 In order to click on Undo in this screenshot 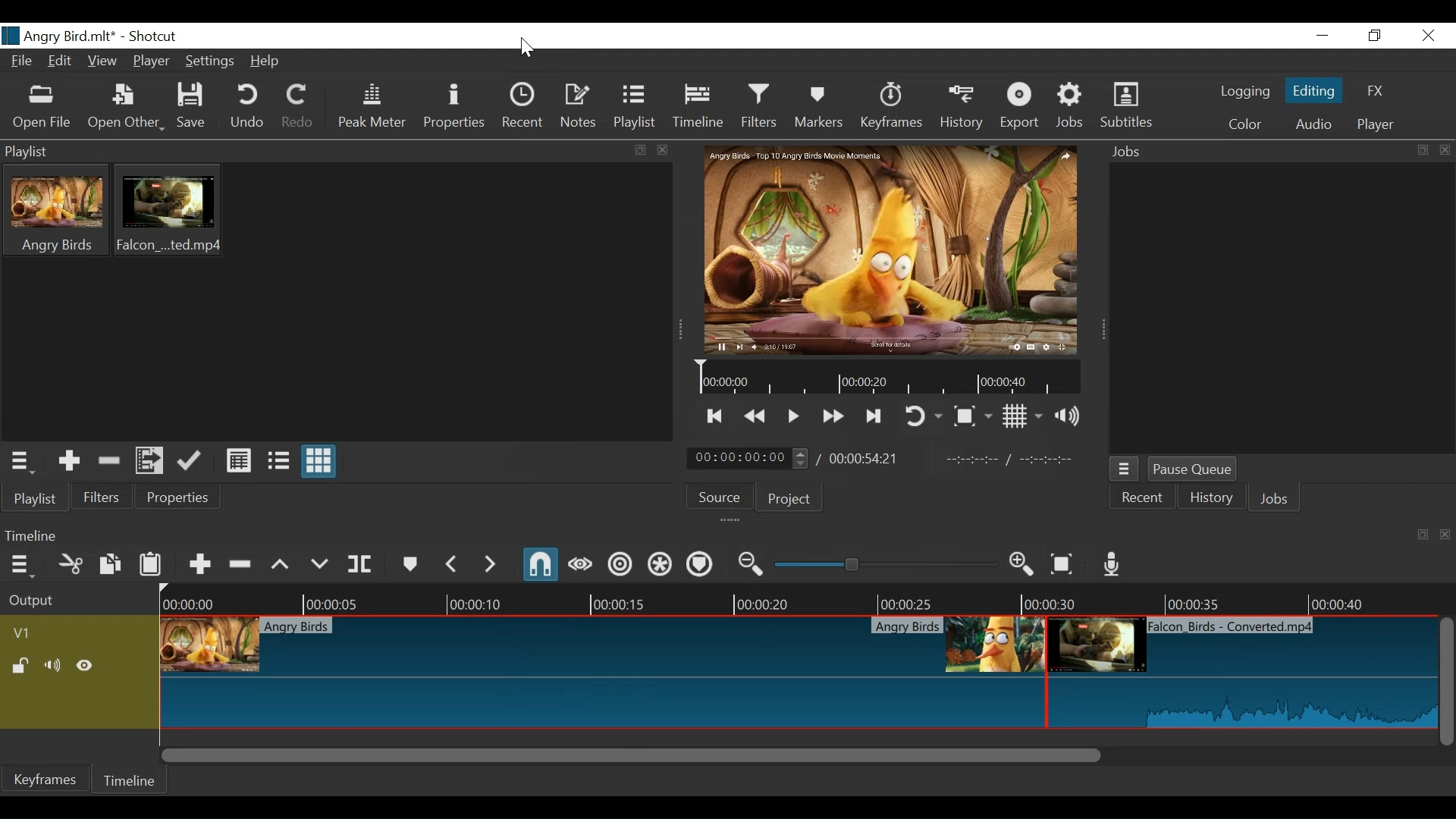, I will do `click(247, 107)`.